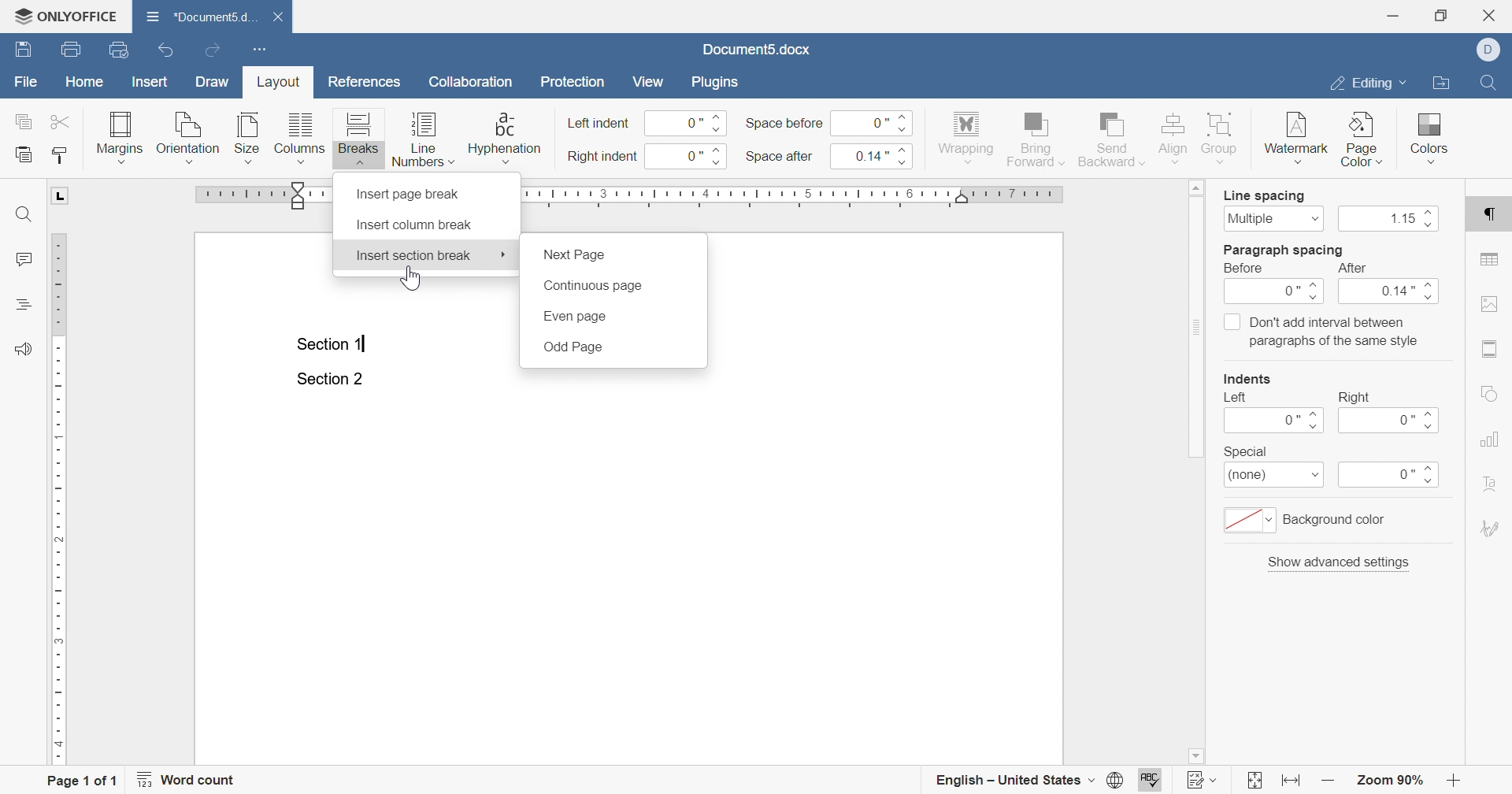 This screenshot has width=1512, height=794. Describe the element at coordinates (1431, 136) in the screenshot. I see `colors` at that location.